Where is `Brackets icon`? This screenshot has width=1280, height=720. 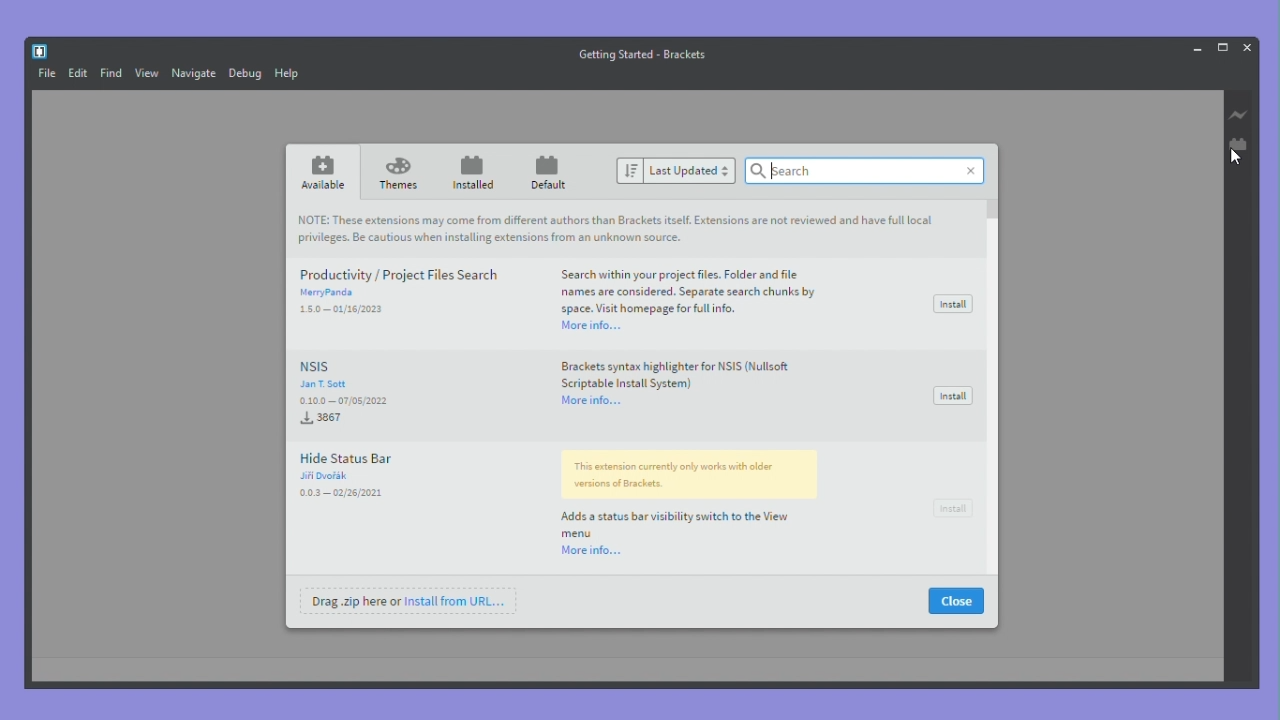 Brackets icon is located at coordinates (41, 52).